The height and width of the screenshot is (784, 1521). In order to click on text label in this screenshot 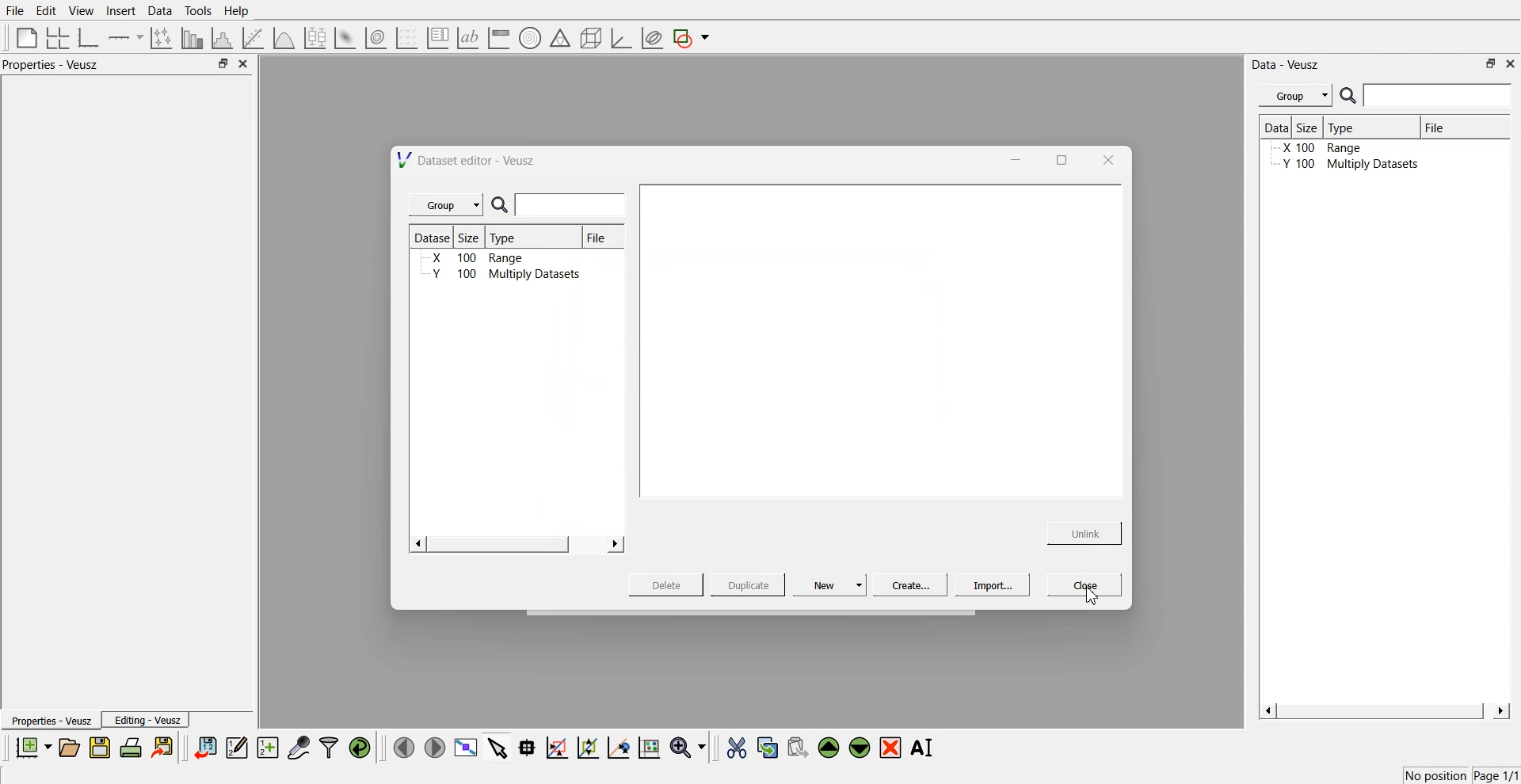, I will do `click(466, 38)`.